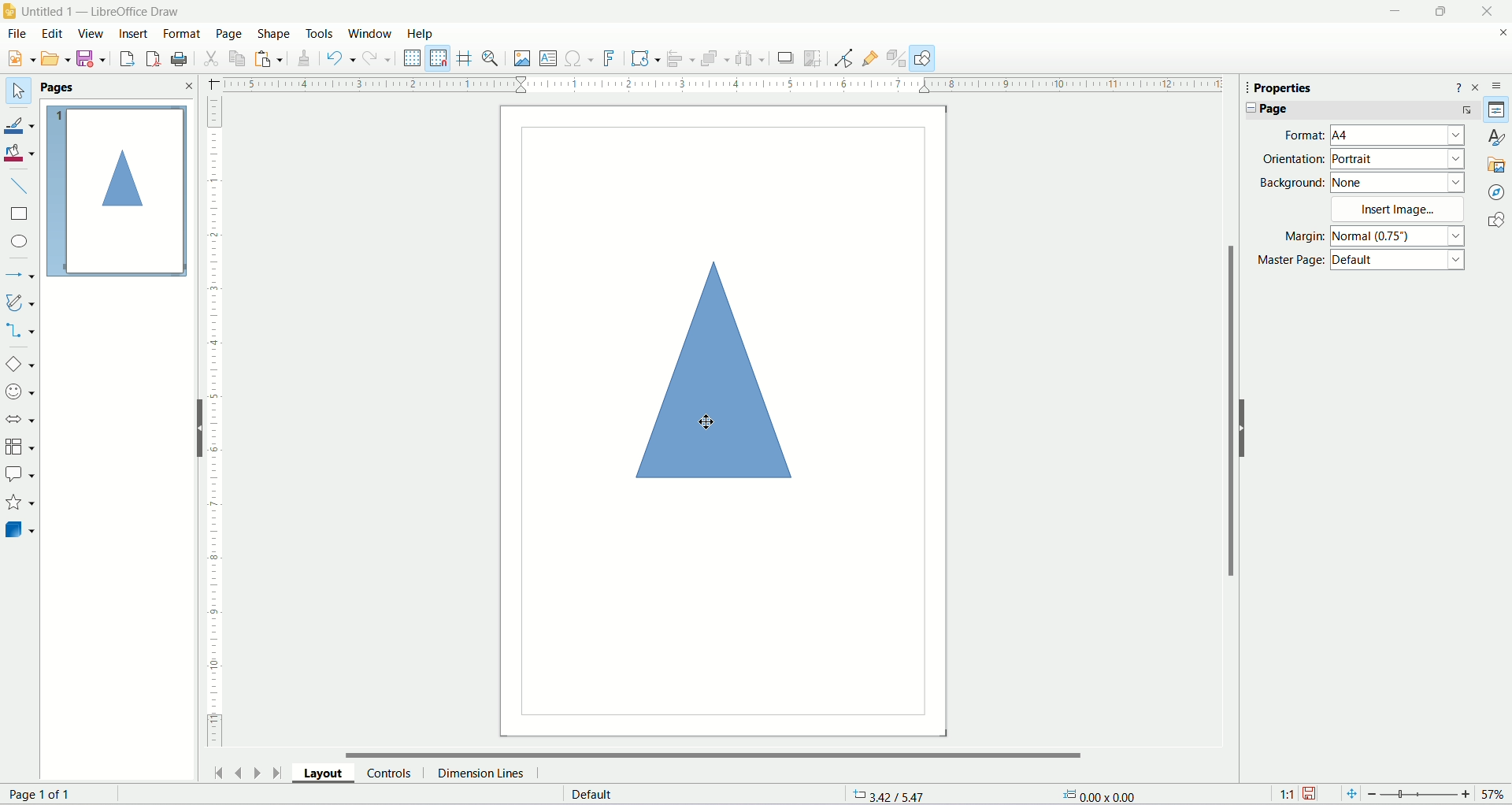 The image size is (1512, 805). Describe the element at coordinates (481, 775) in the screenshot. I see `Dimension Lines` at that location.